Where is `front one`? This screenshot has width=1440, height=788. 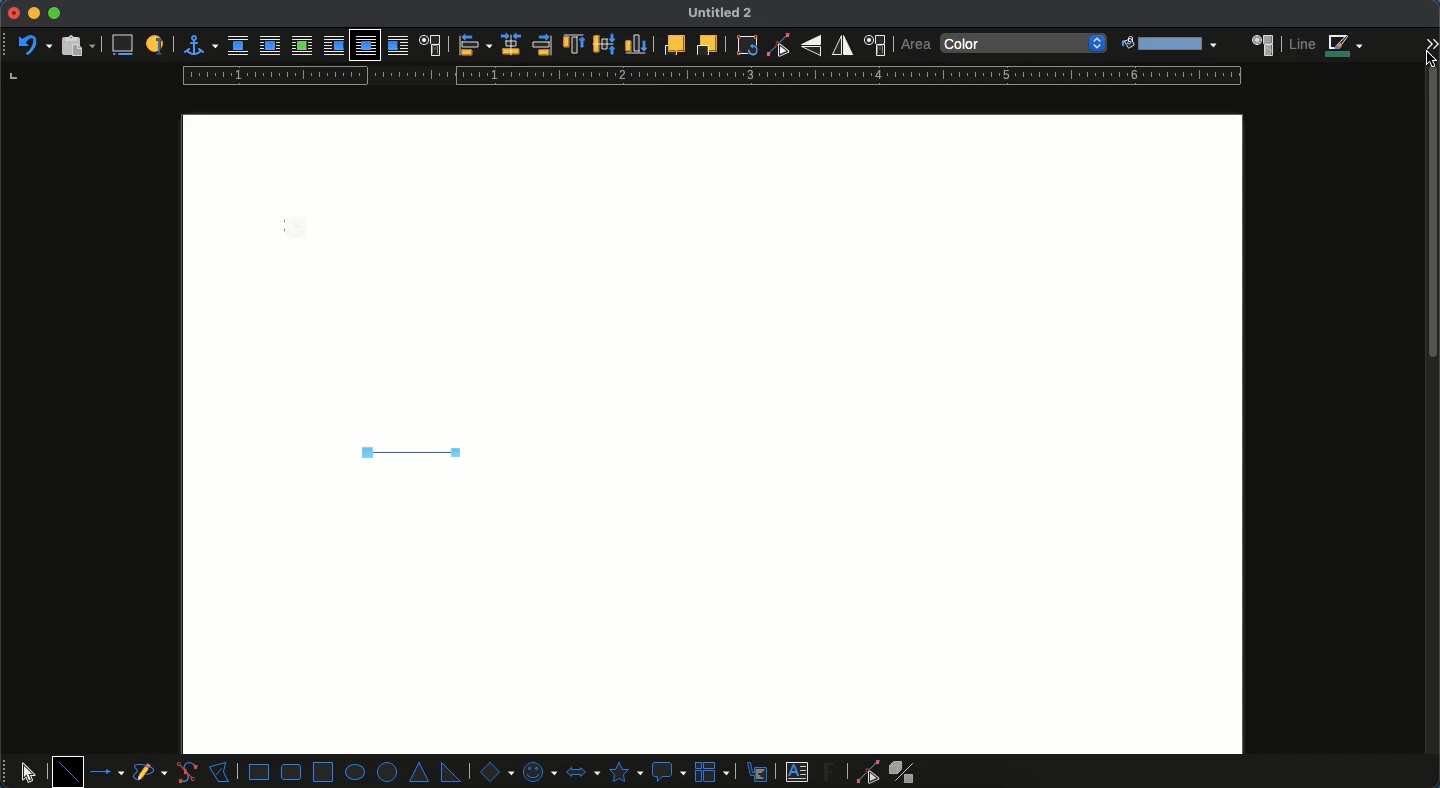 front one is located at coordinates (673, 44).